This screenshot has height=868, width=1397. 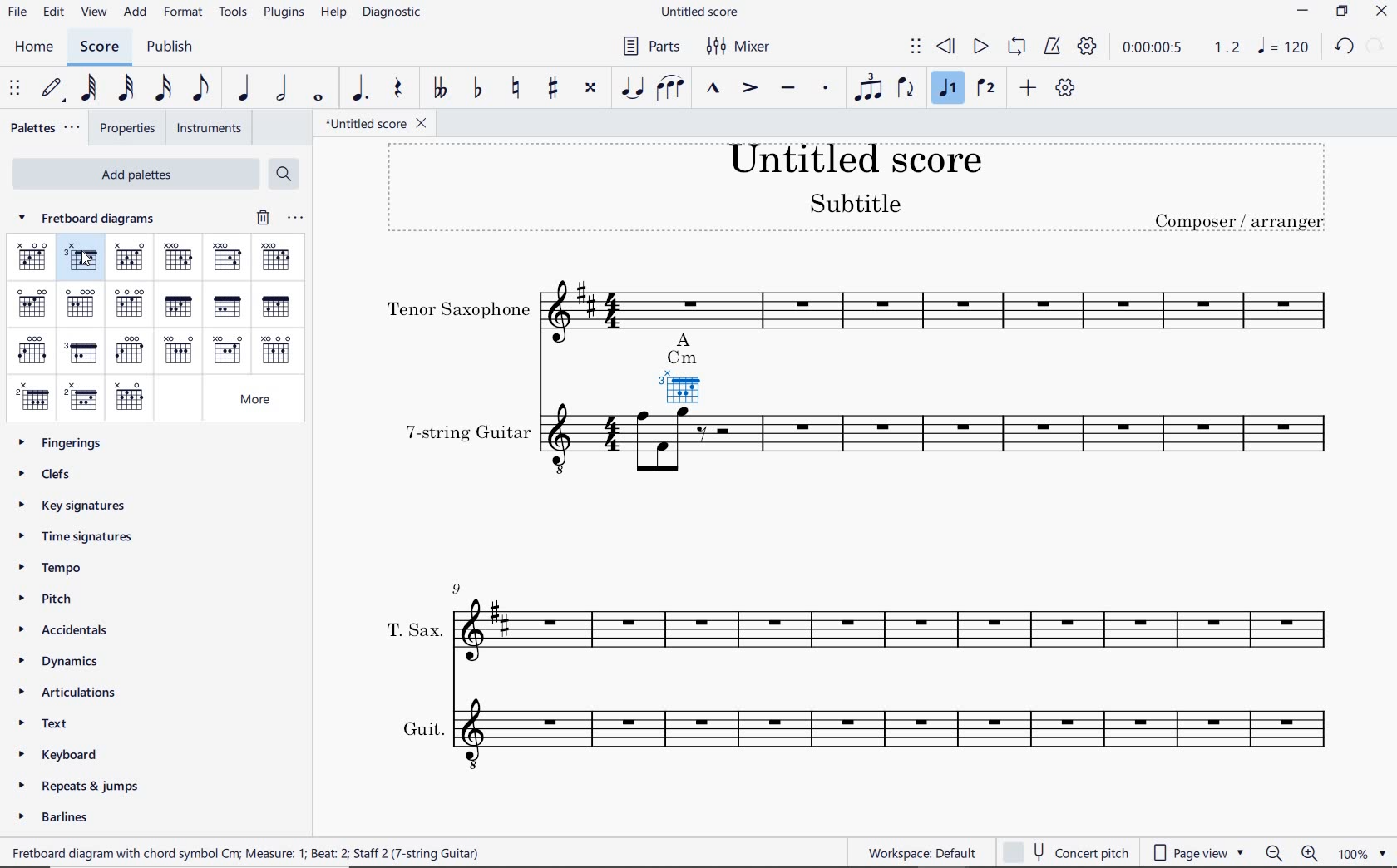 I want to click on ADD, so click(x=1028, y=88).